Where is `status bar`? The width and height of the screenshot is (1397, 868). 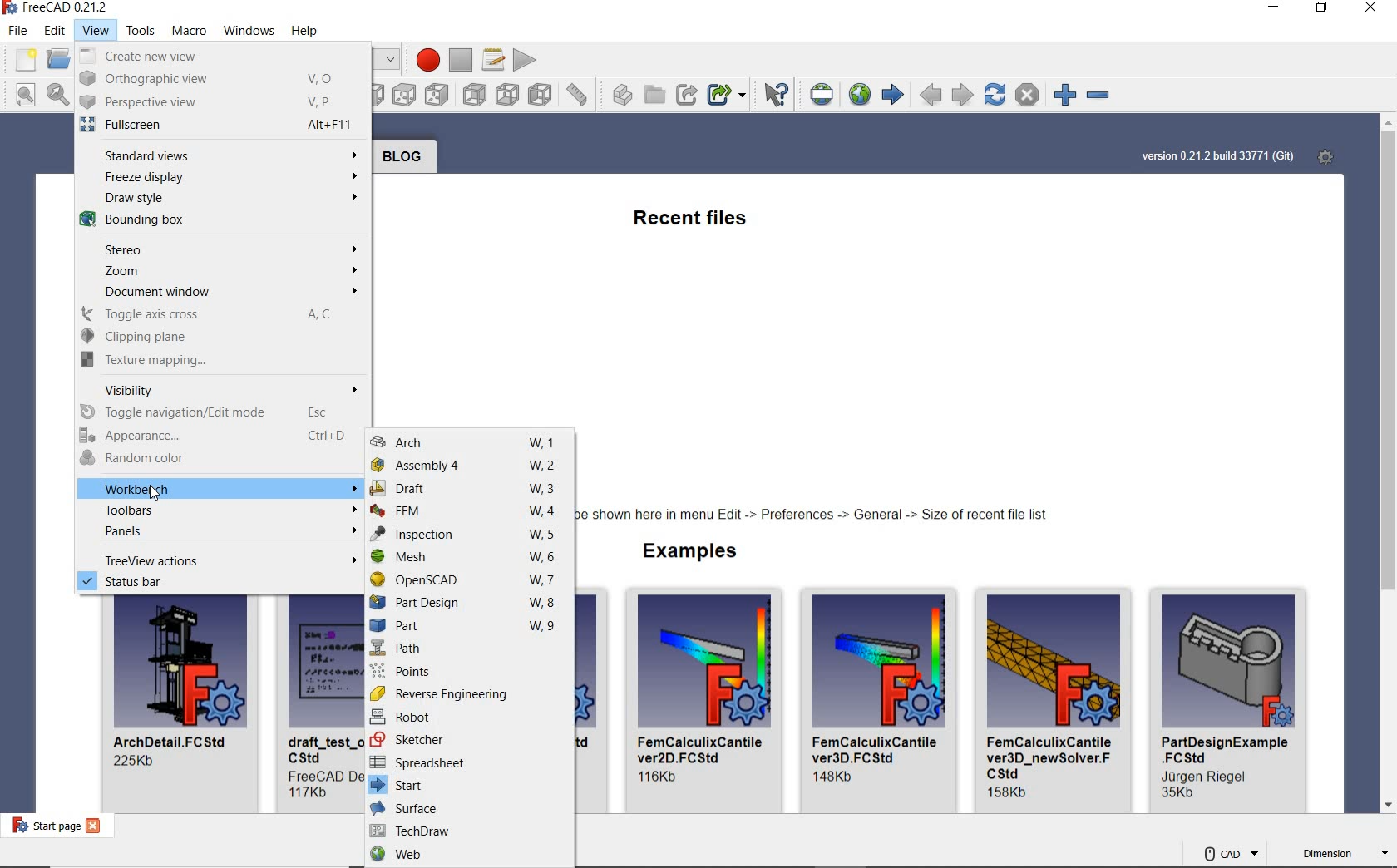 status bar is located at coordinates (221, 585).